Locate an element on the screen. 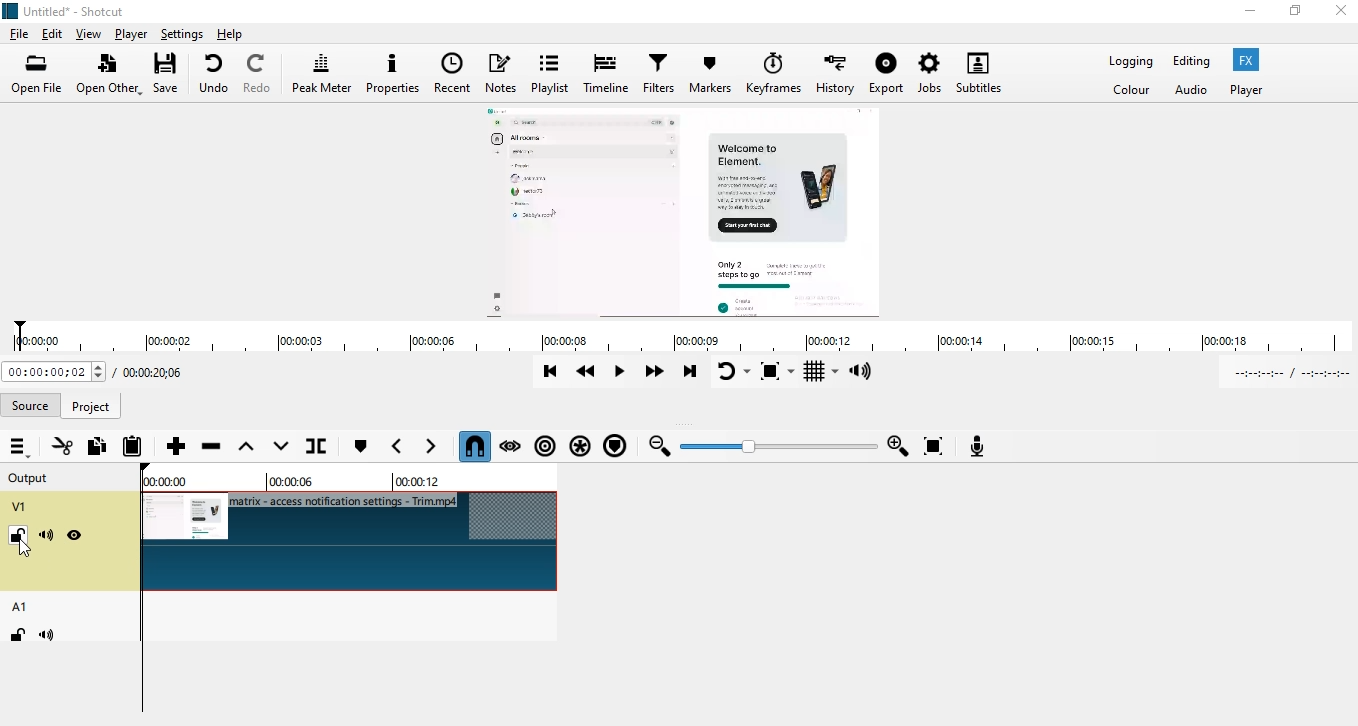 Image resolution: width=1358 pixels, height=726 pixels. split at playhead is located at coordinates (332, 448).